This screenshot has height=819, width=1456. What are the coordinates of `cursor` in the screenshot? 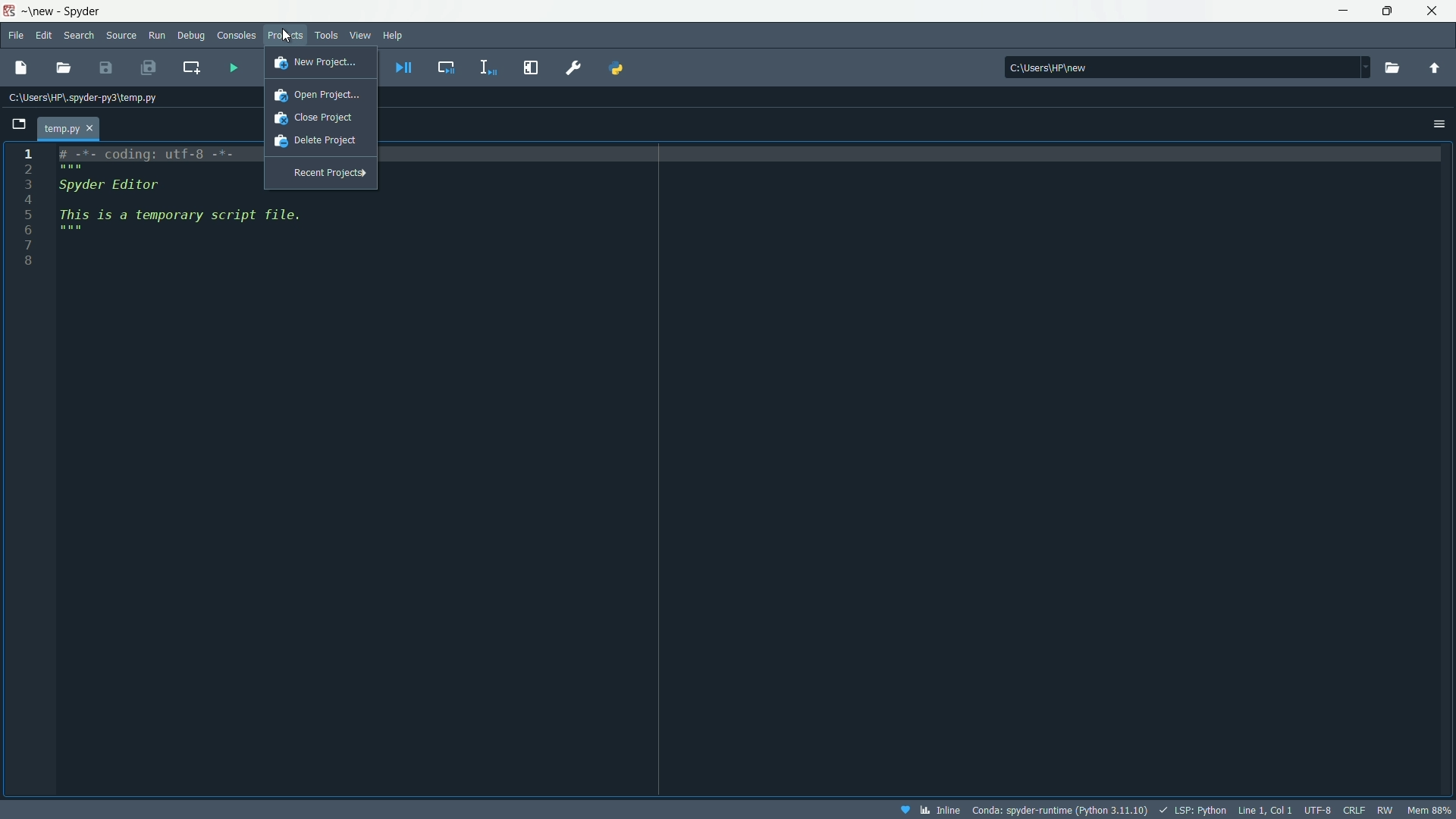 It's located at (286, 35).